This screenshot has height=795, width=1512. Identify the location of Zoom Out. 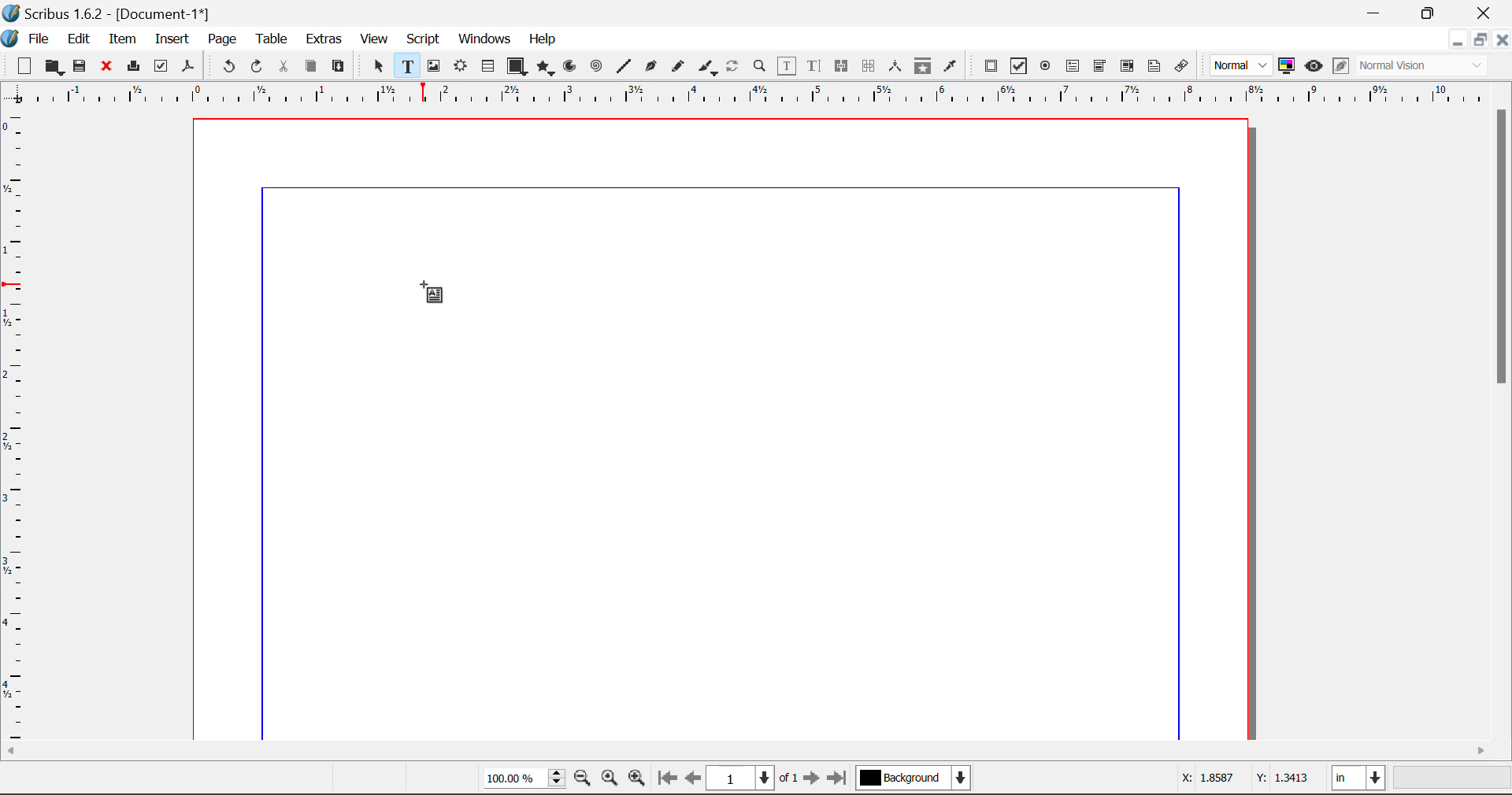
(584, 780).